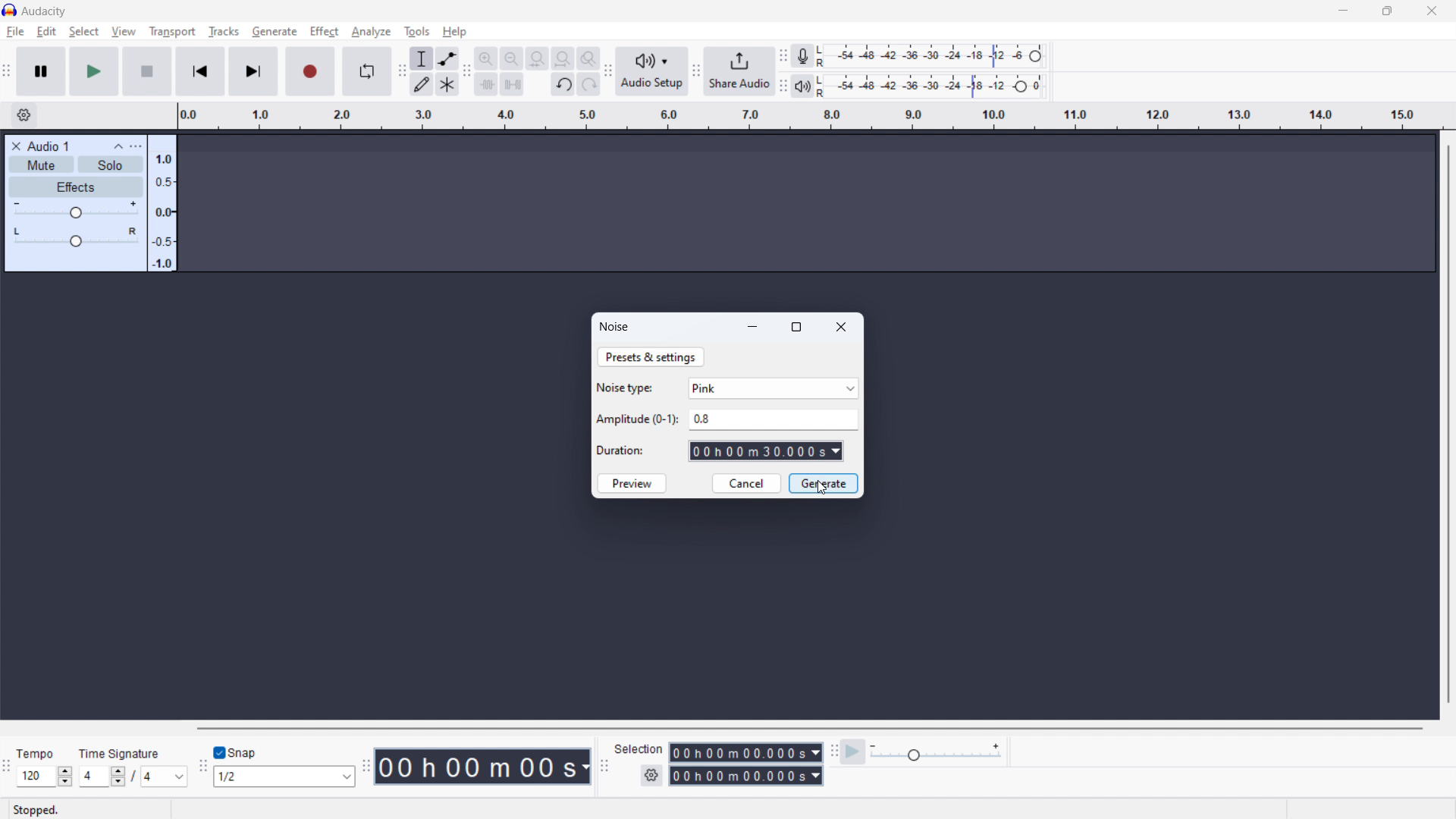  Describe the element at coordinates (632, 483) in the screenshot. I see `preview` at that location.